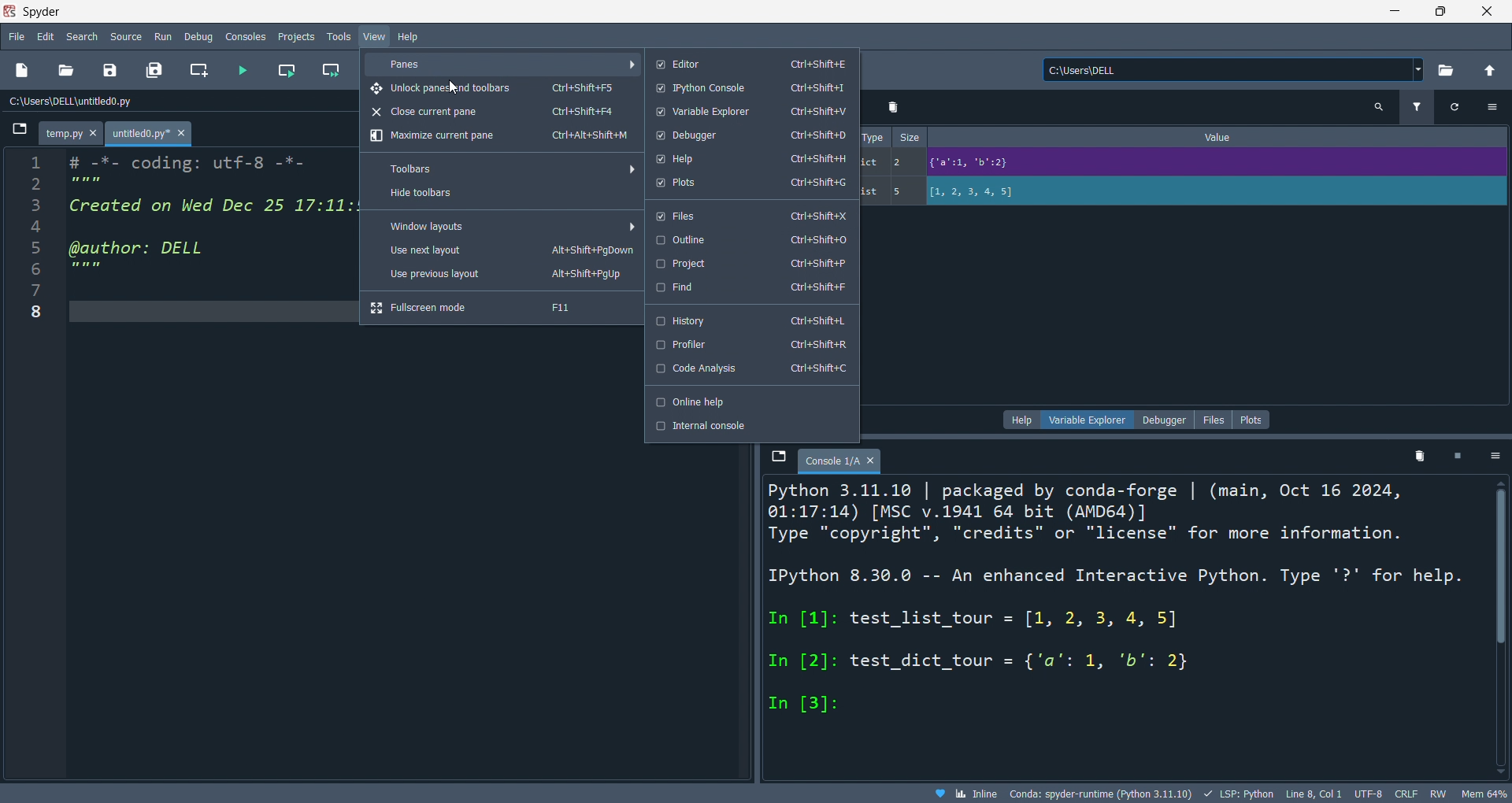 The width and height of the screenshot is (1512, 803). I want to click on editor, so click(748, 63).